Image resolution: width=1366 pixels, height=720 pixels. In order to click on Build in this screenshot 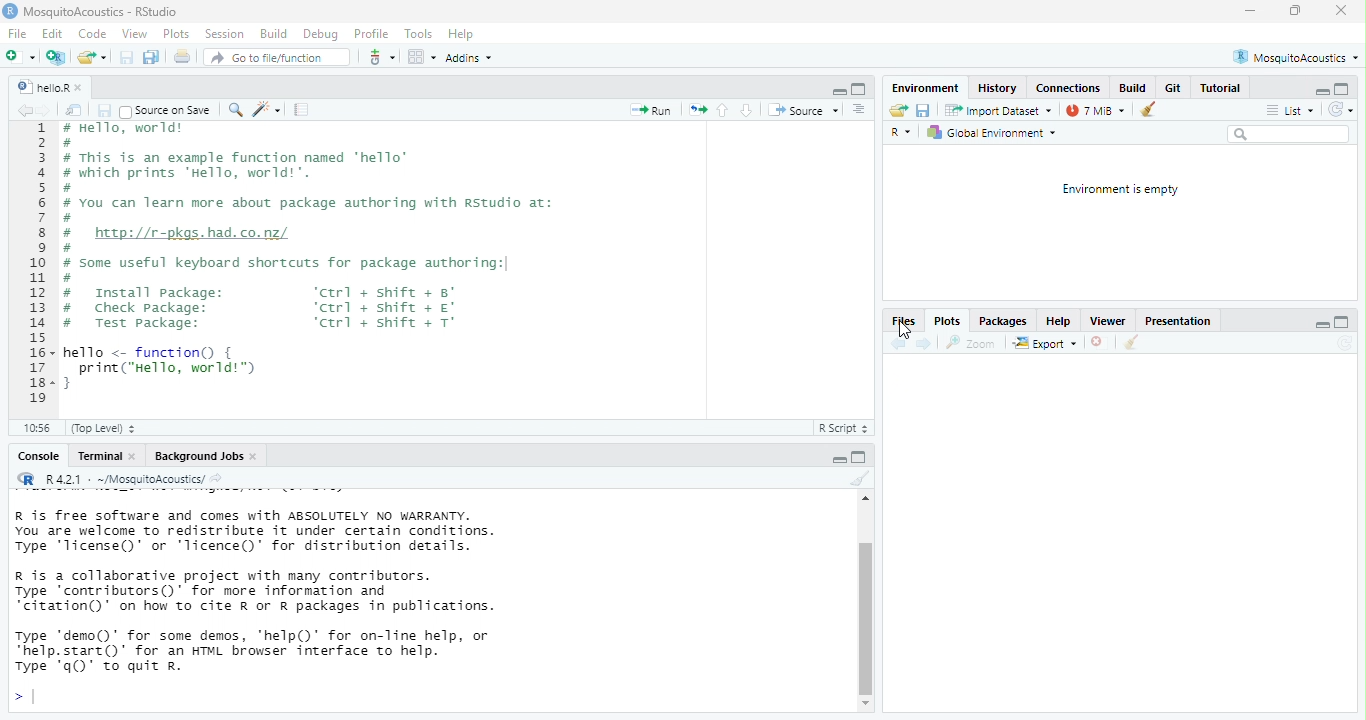, I will do `click(273, 33)`.